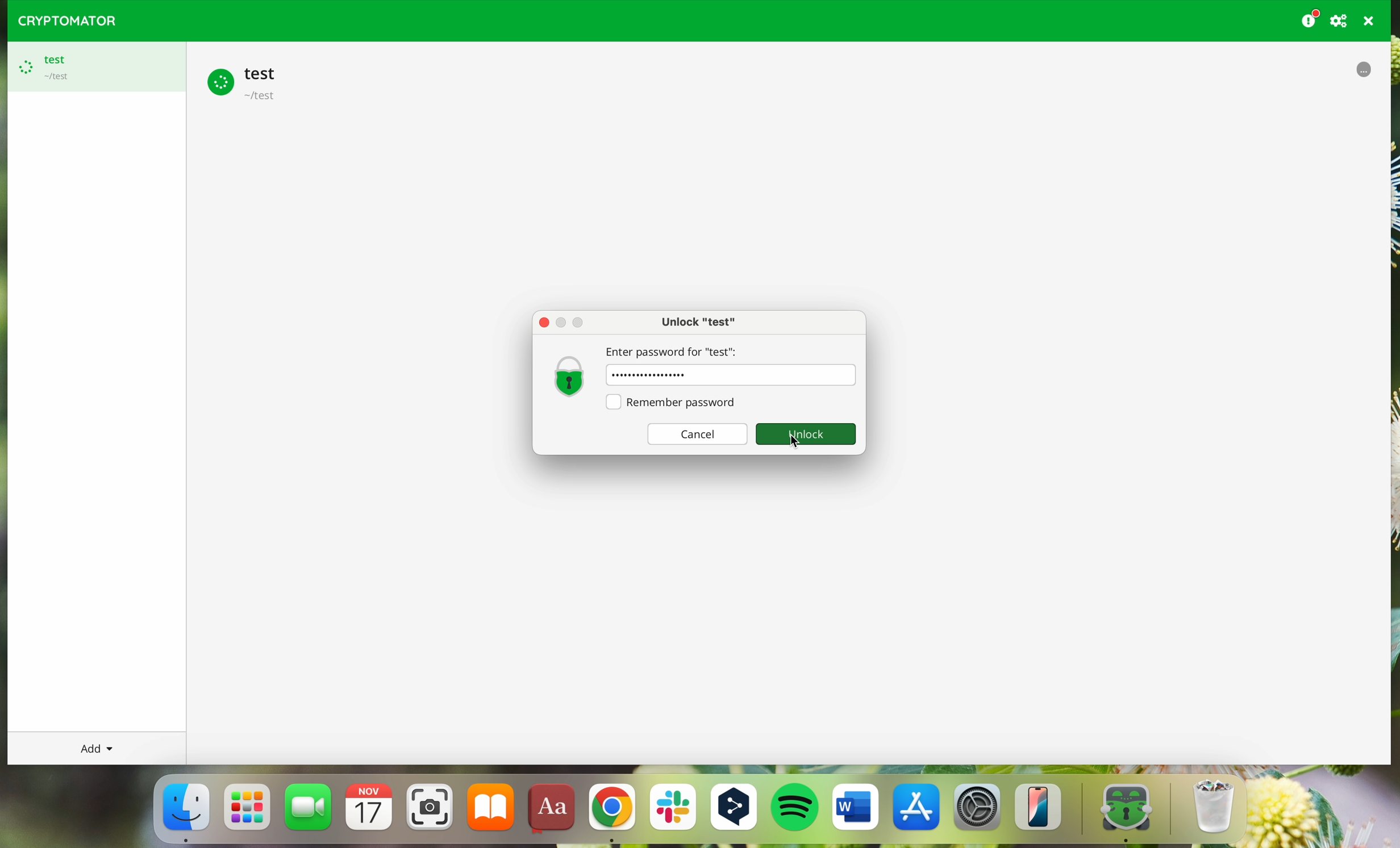 The image size is (1400, 848). Describe the element at coordinates (62, 18) in the screenshot. I see `CRYPTOMATOR LOGO` at that location.